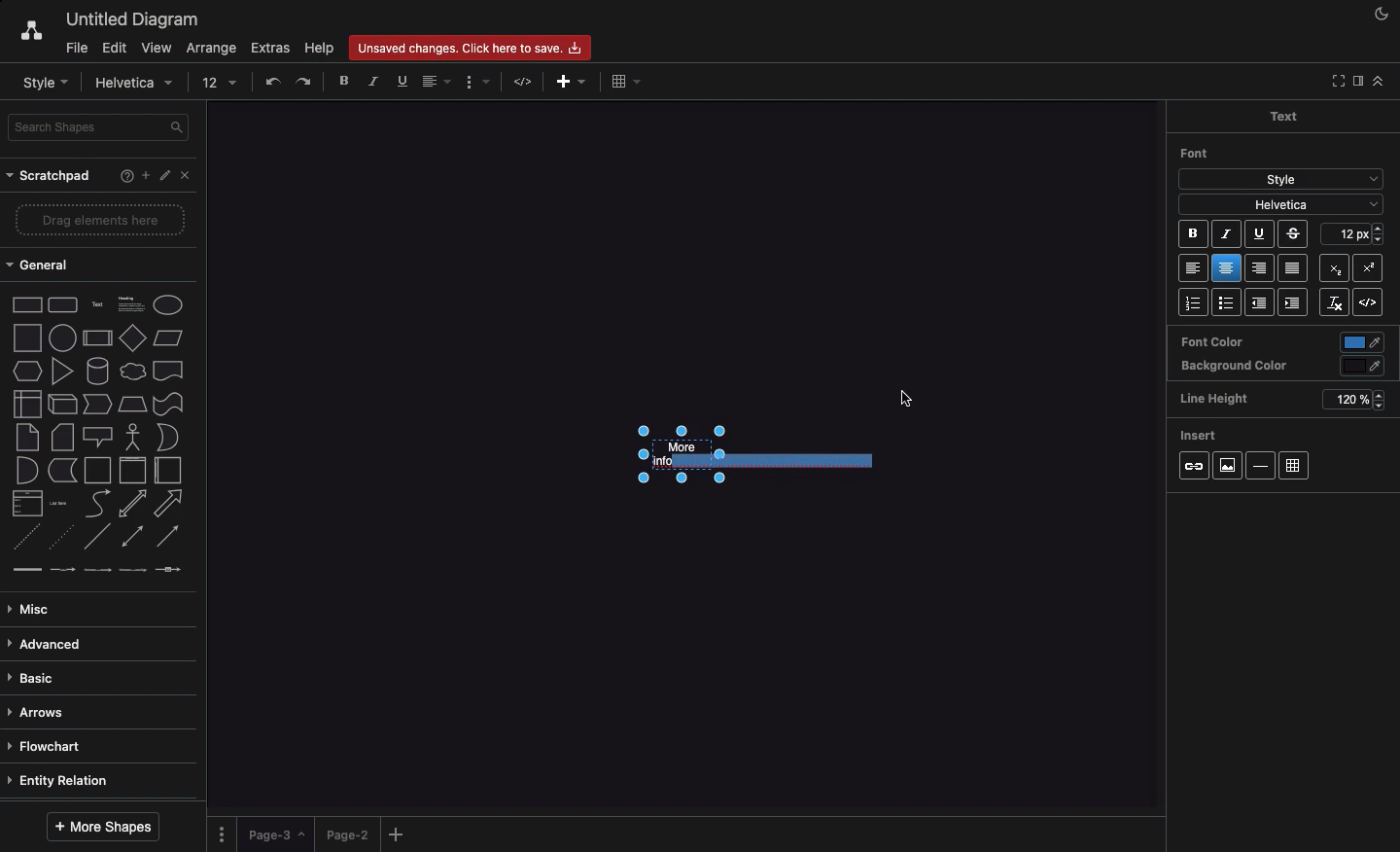  What do you see at coordinates (168, 537) in the screenshot?
I see `directional connector` at bounding box center [168, 537].